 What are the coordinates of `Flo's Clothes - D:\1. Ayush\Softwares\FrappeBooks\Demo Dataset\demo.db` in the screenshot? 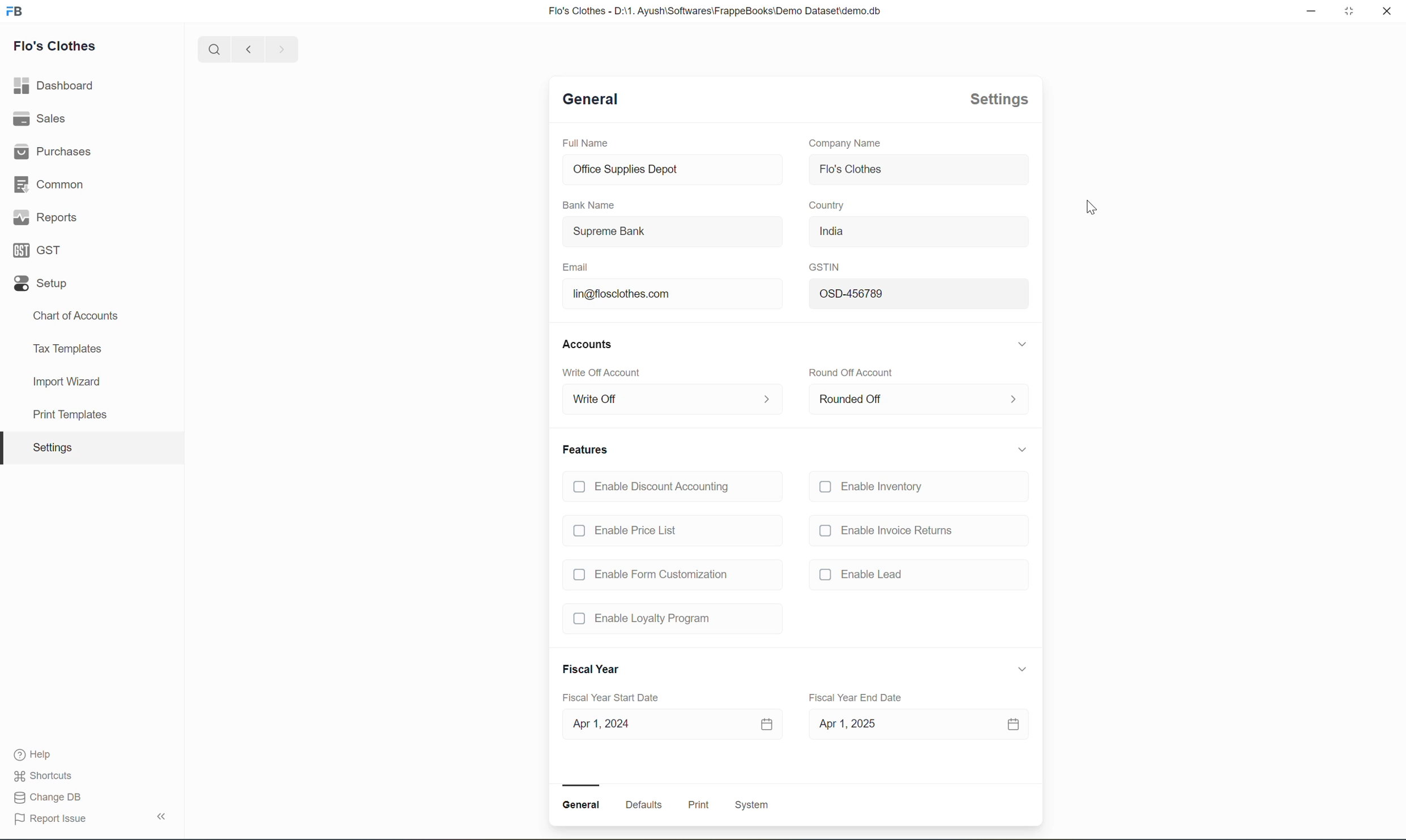 It's located at (713, 10).